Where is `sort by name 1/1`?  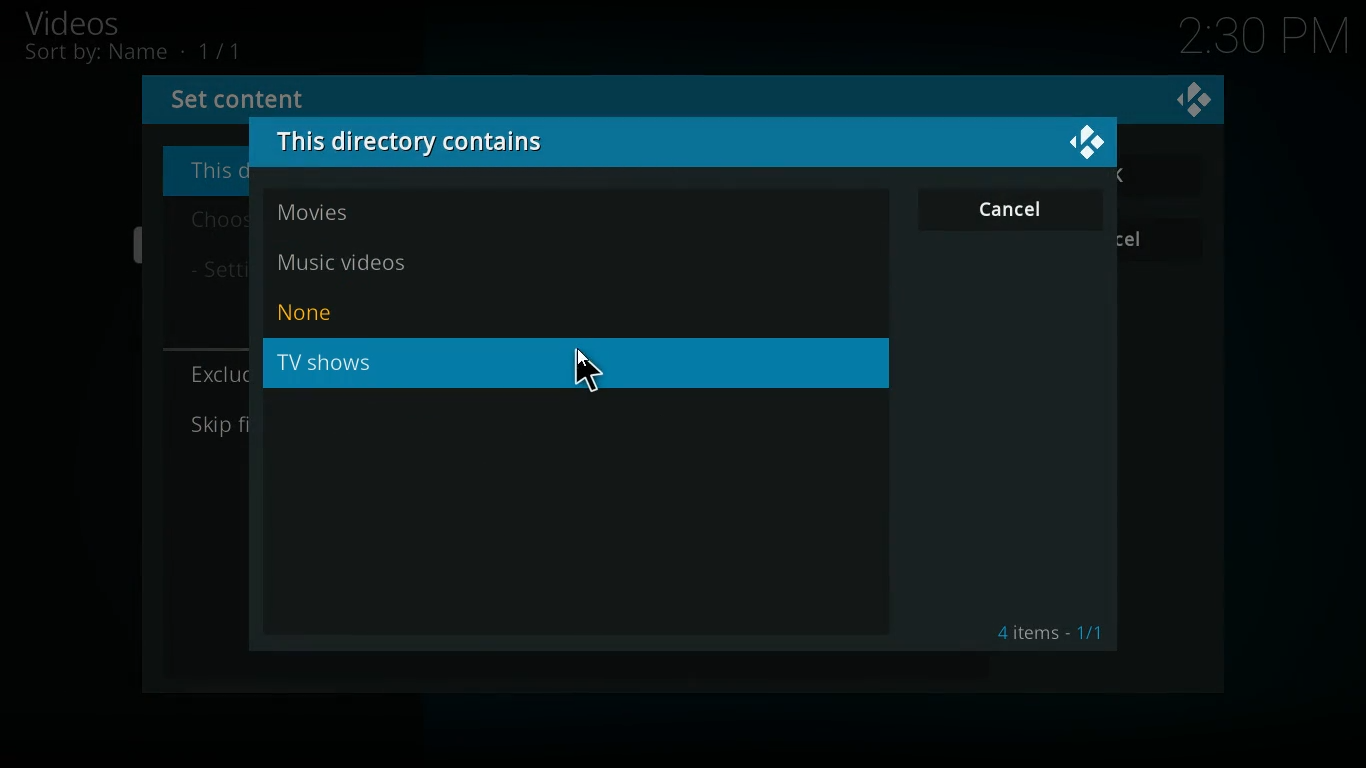 sort by name 1/1 is located at coordinates (133, 53).